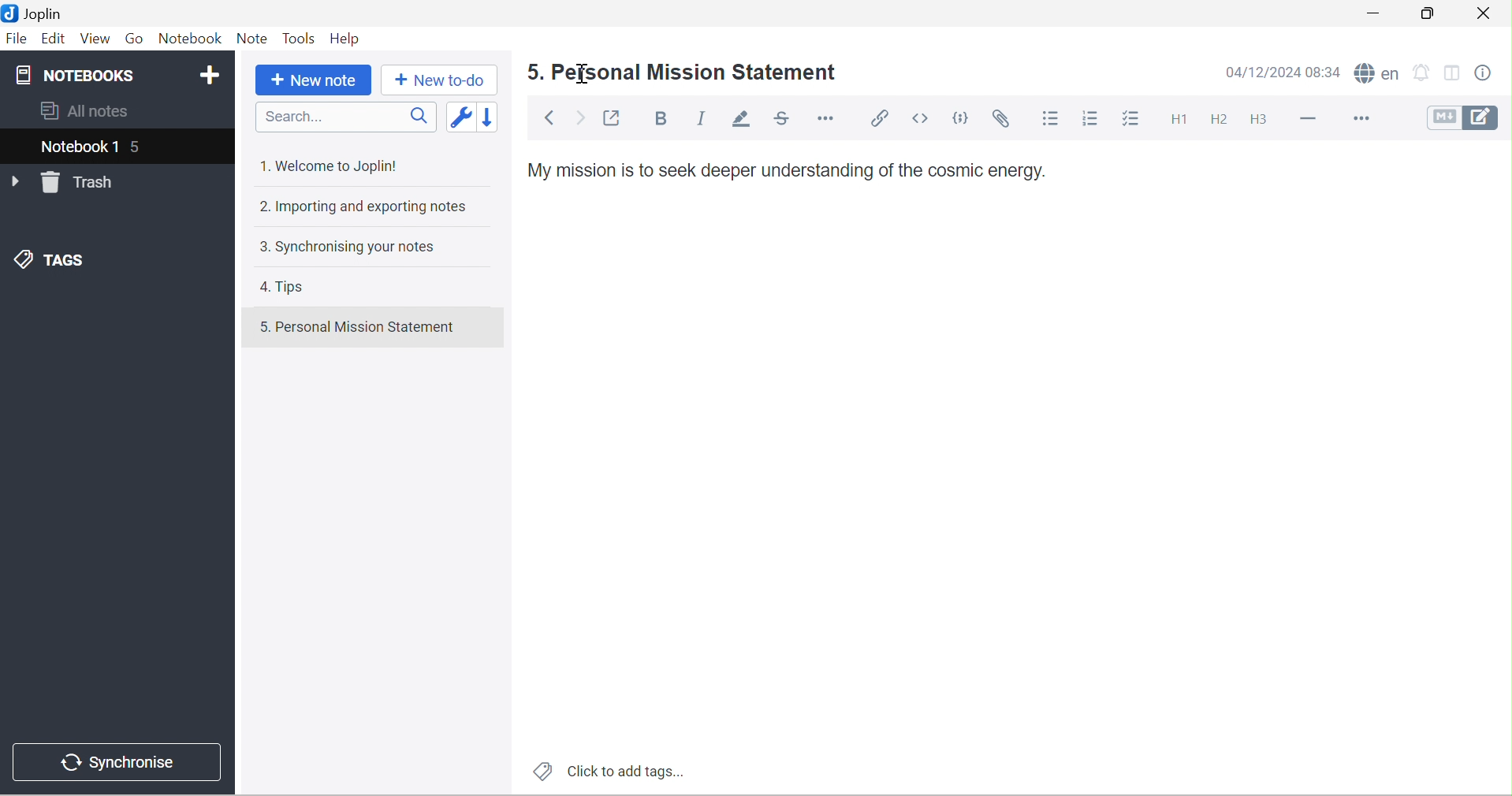 This screenshot has height=796, width=1512. What do you see at coordinates (826, 117) in the screenshot?
I see `Horizontal` at bounding box center [826, 117].